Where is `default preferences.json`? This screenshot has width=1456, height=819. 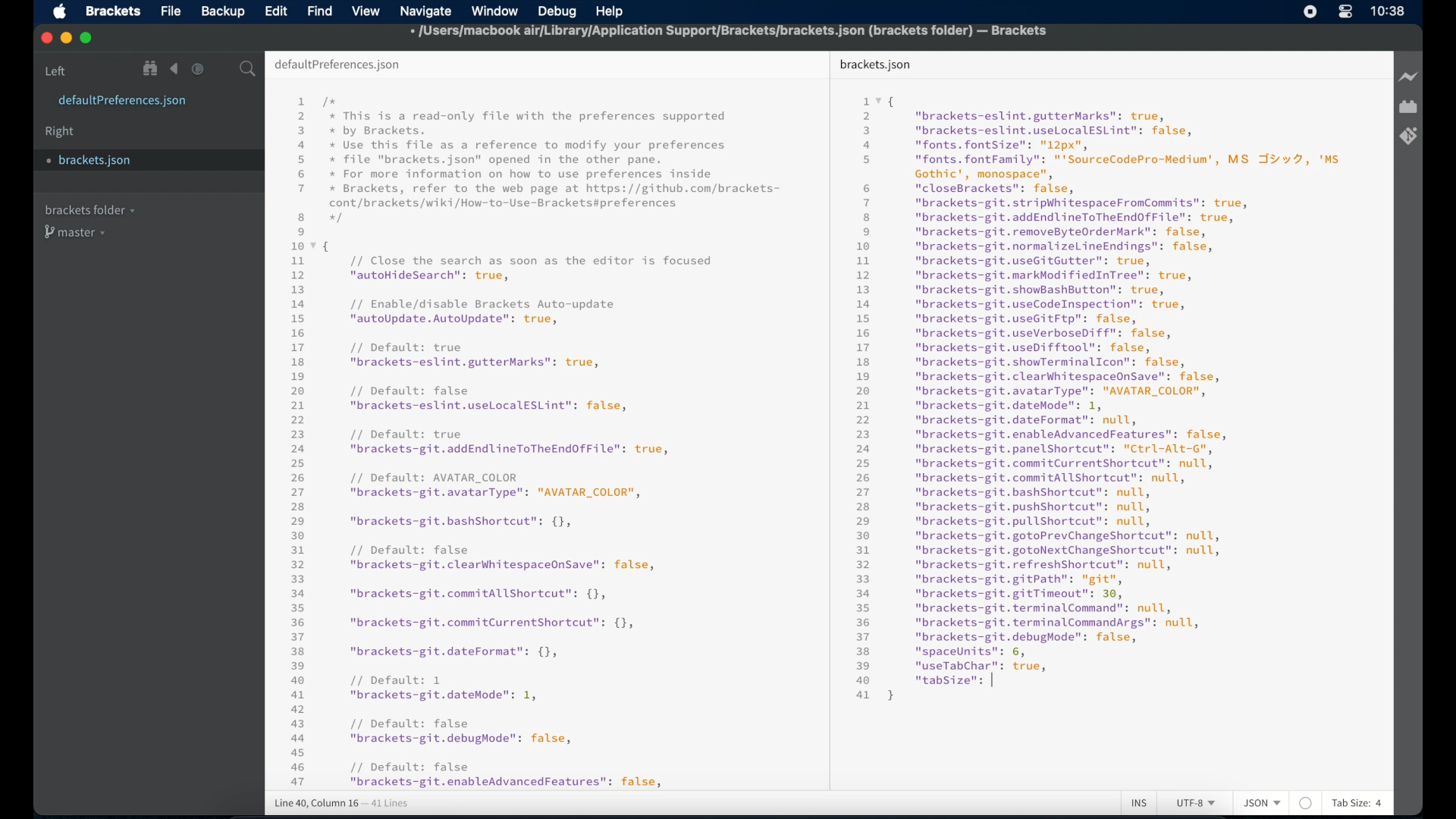
default preferences.json is located at coordinates (337, 65).